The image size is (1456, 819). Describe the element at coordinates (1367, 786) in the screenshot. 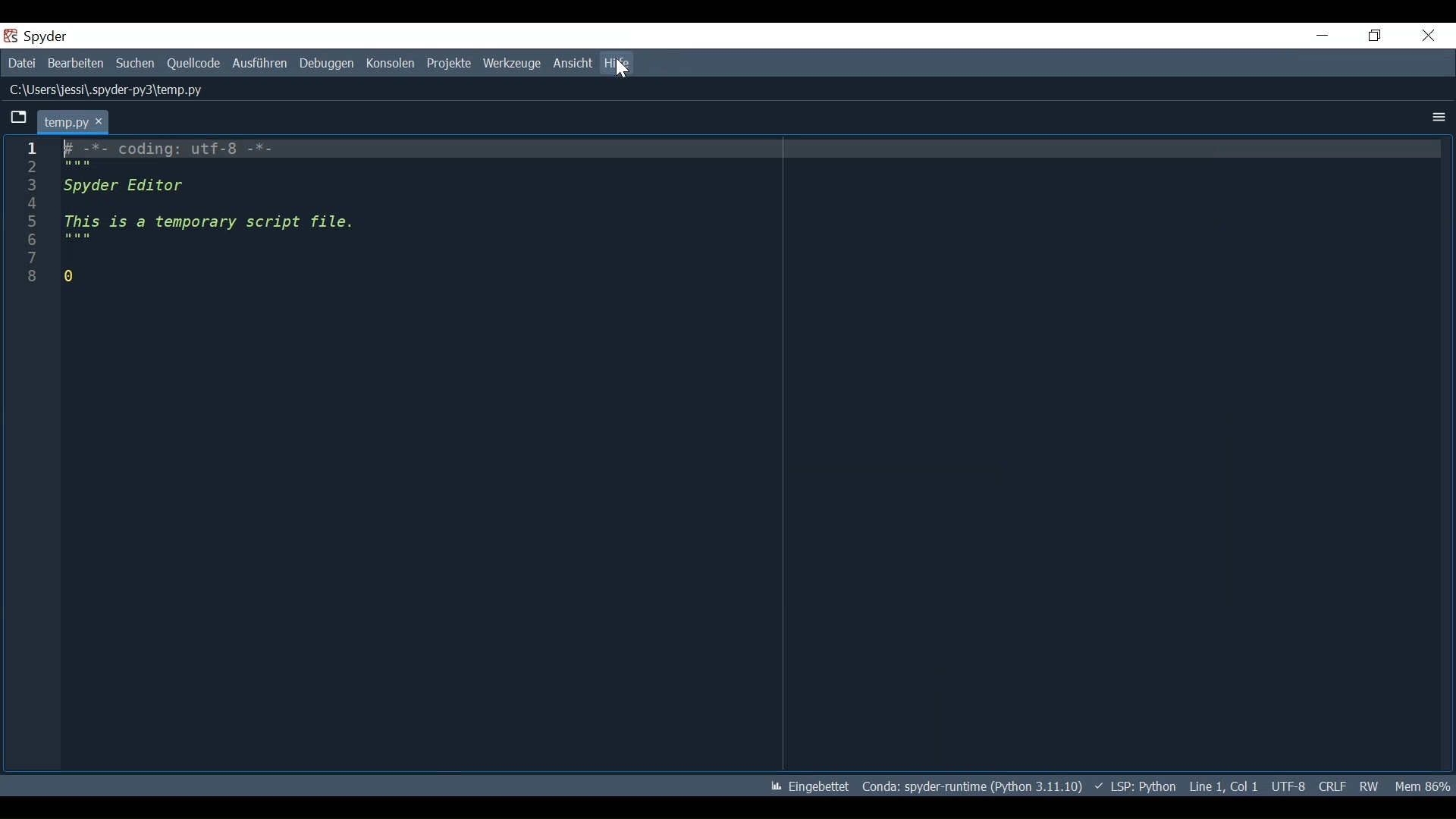

I see `RW` at that location.